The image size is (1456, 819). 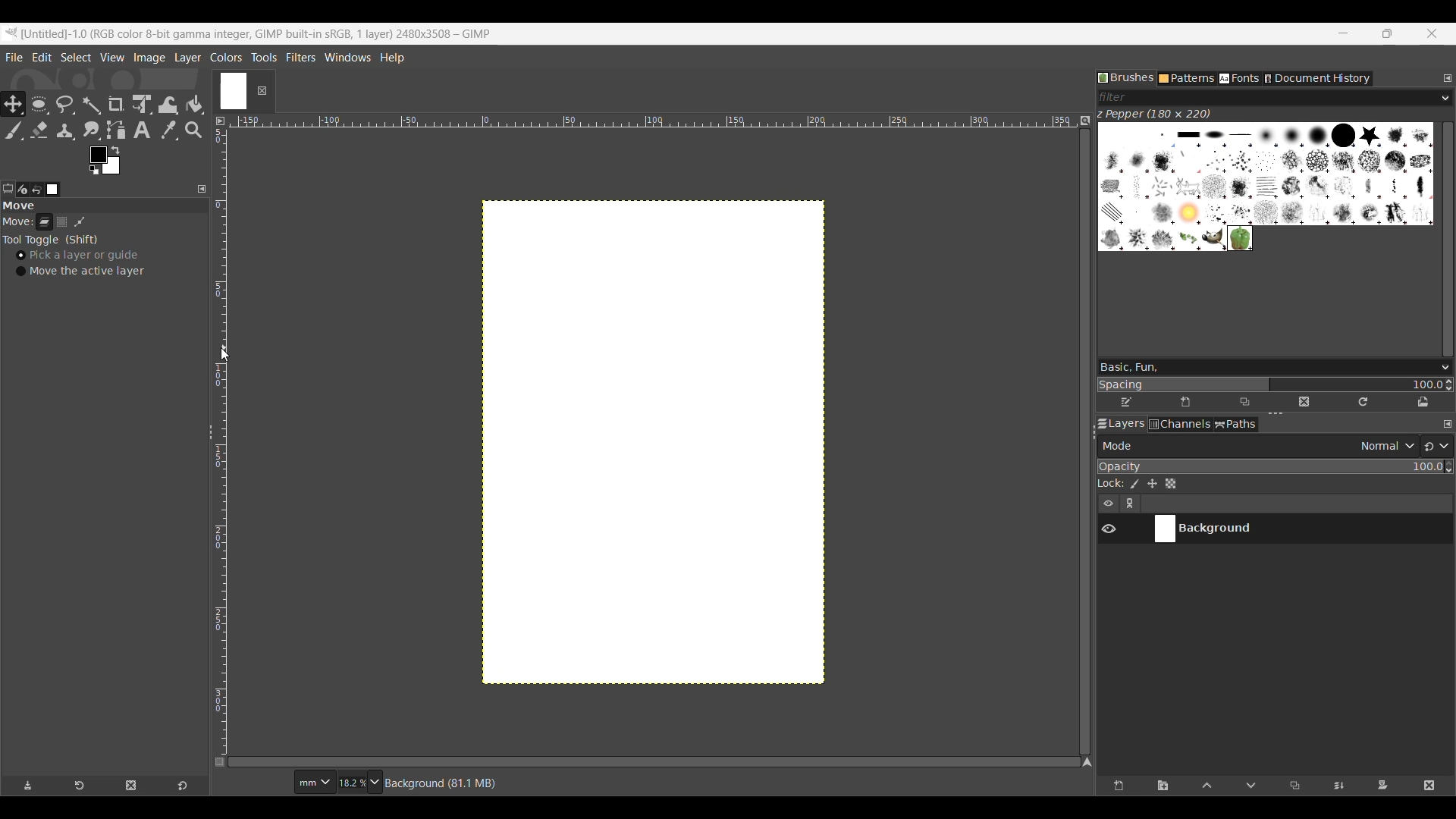 I want to click on Fonts tab, so click(x=1239, y=79).